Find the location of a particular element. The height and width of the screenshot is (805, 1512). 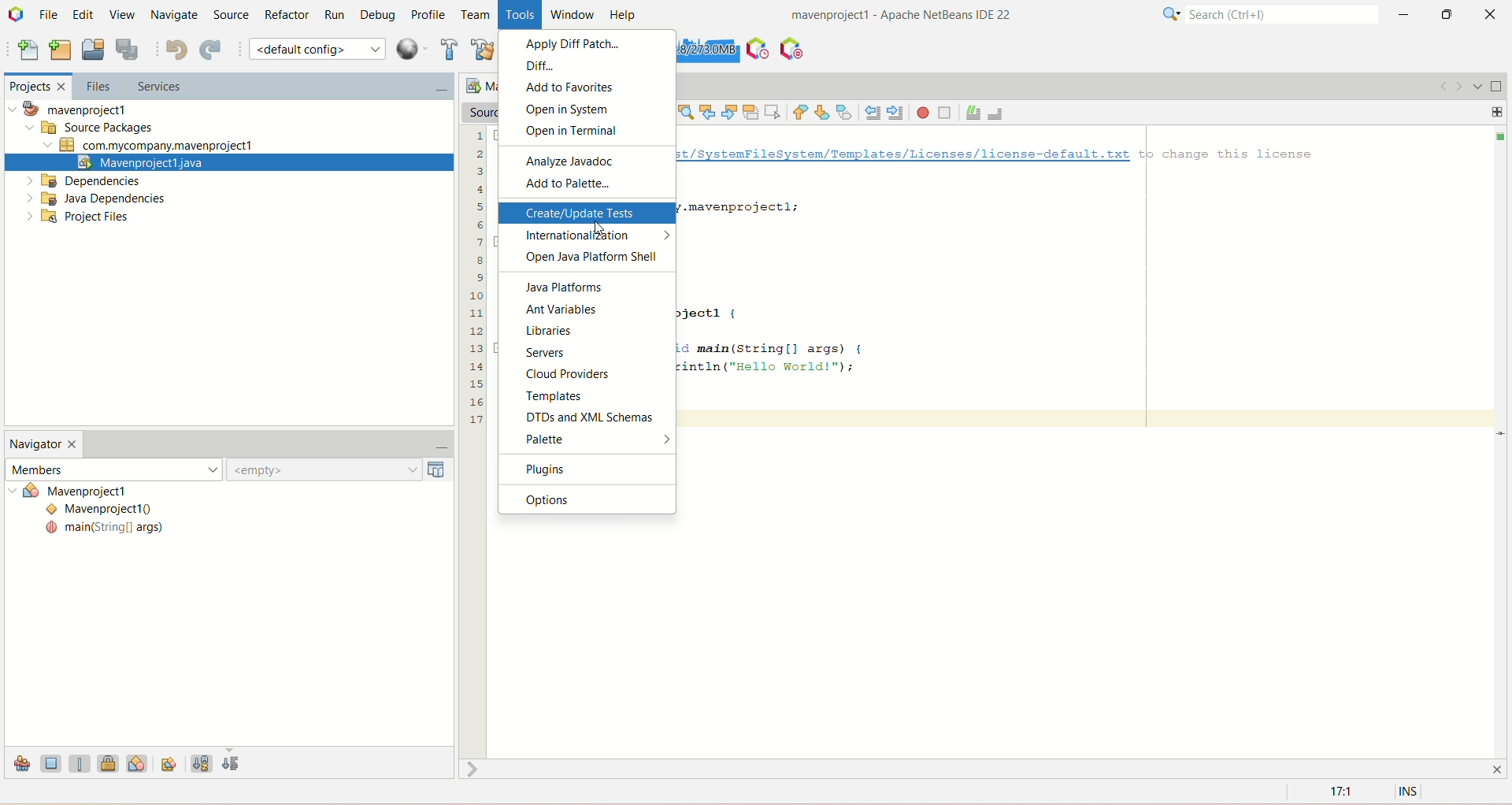

projects is located at coordinates (35, 88).